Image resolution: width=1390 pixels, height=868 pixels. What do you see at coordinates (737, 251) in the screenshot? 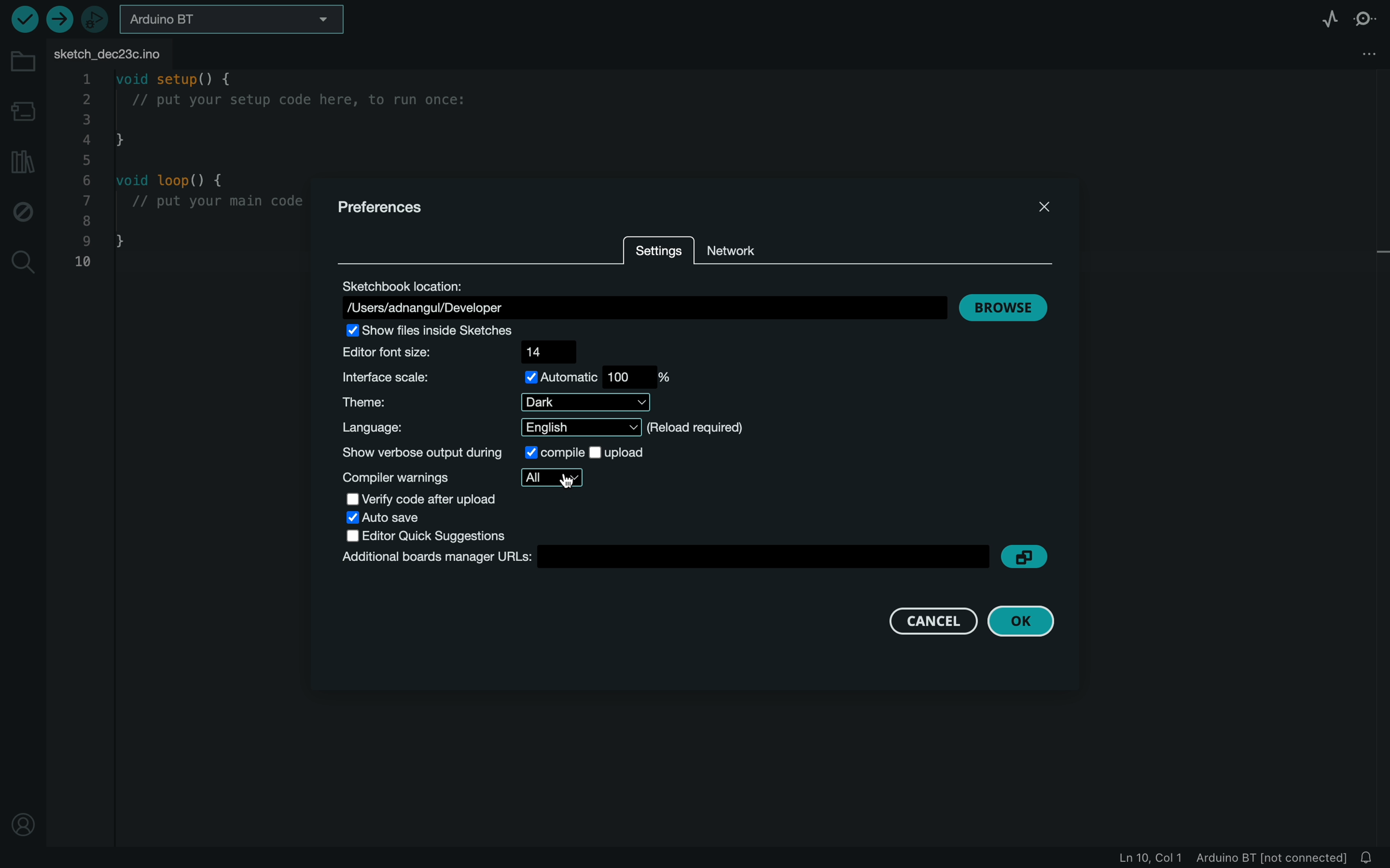
I see `network` at bounding box center [737, 251].